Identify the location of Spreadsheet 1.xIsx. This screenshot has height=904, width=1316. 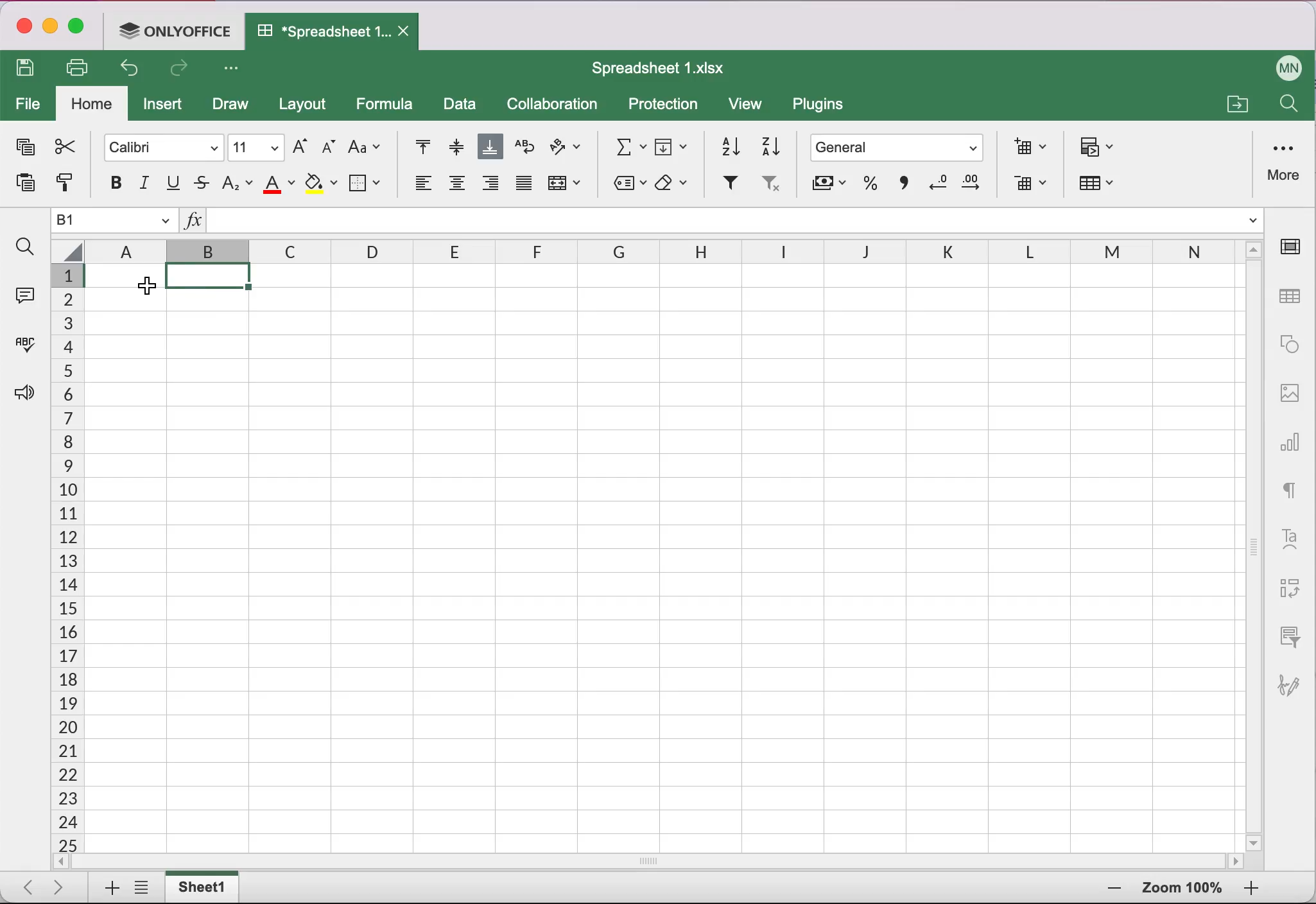
(666, 68).